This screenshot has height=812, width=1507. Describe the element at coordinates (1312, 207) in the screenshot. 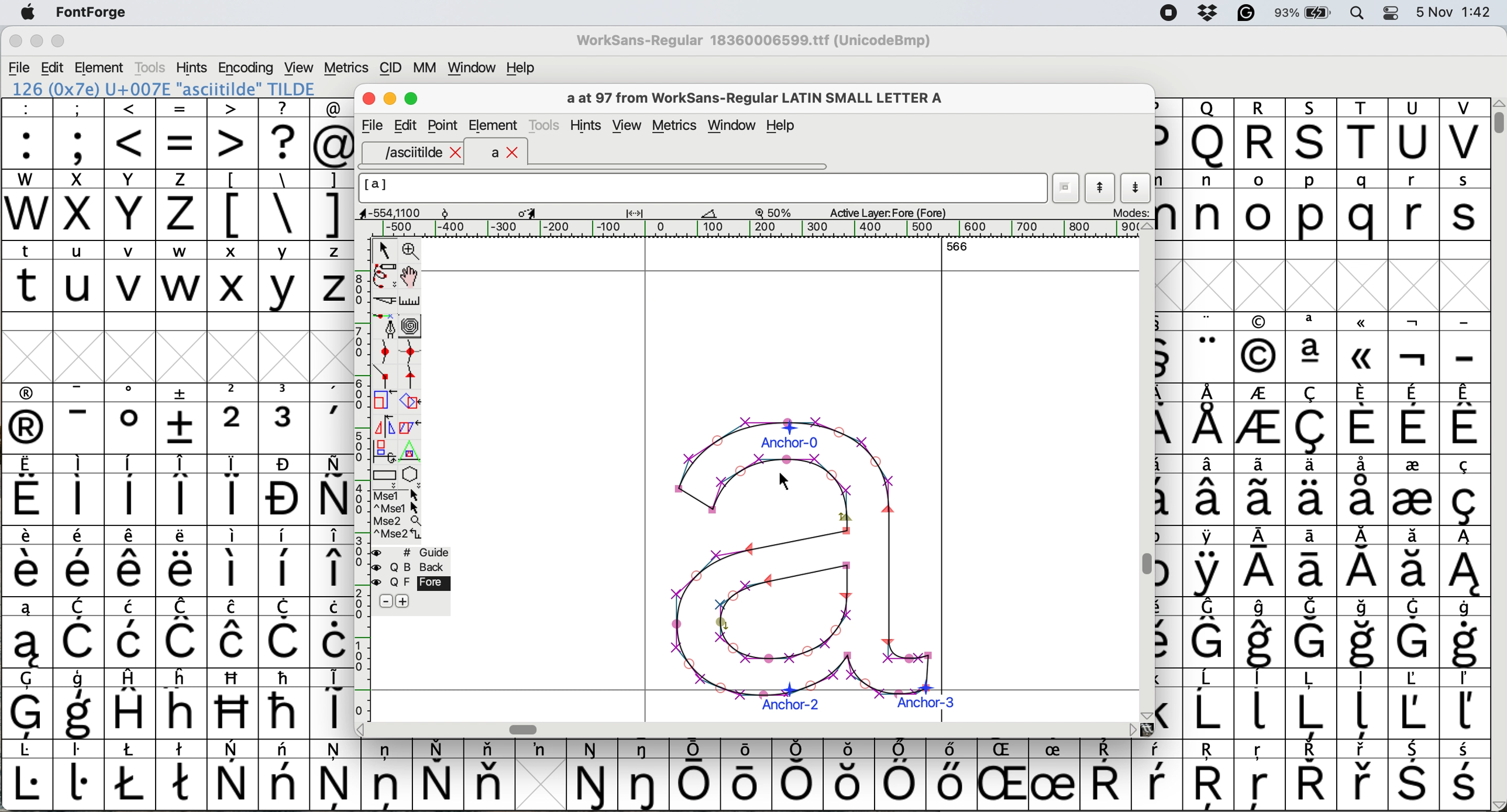

I see `p` at that location.